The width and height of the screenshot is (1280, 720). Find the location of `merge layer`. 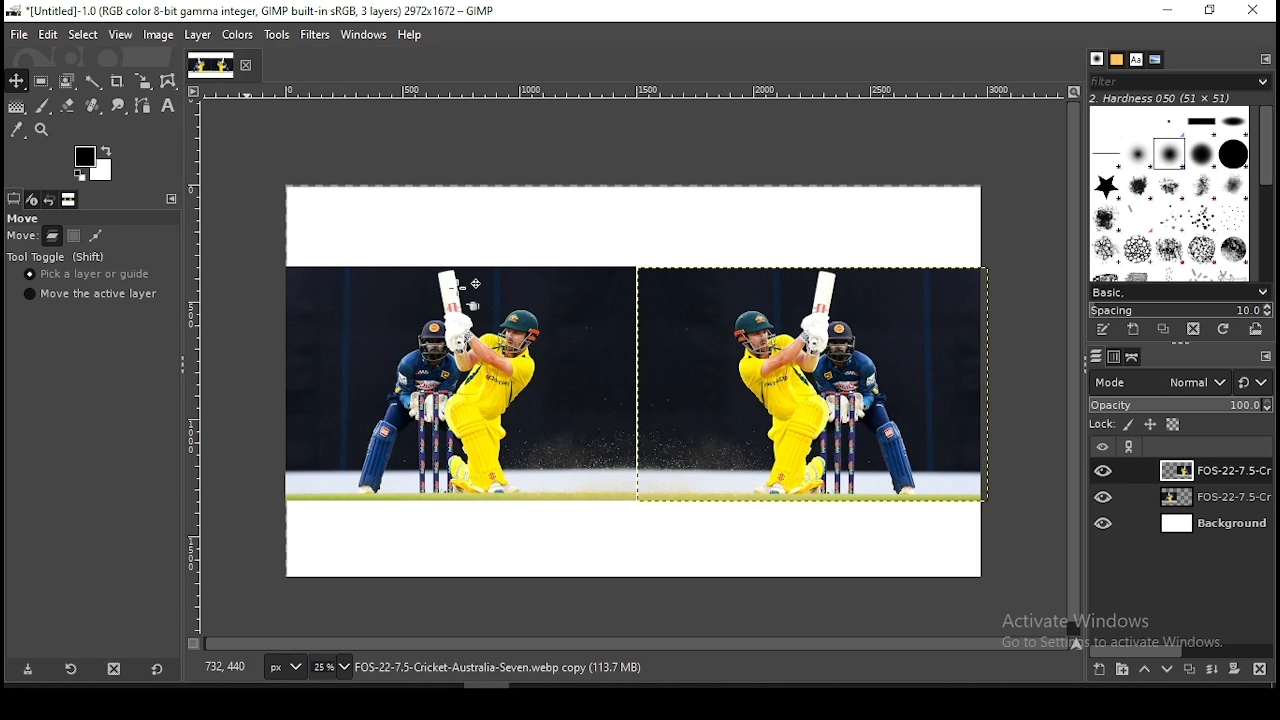

merge layer is located at coordinates (1212, 669).